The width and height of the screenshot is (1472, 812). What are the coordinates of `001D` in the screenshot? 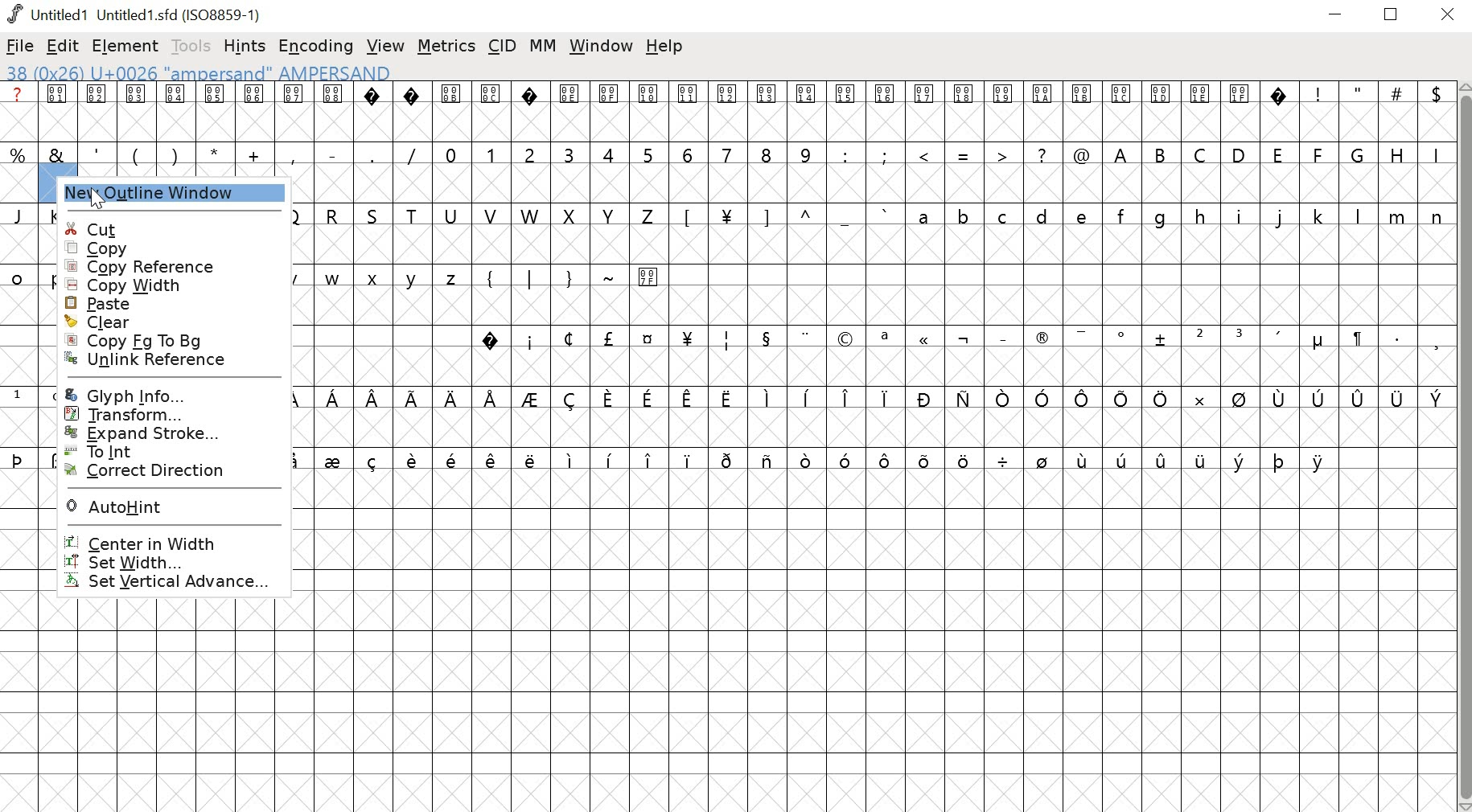 It's located at (1162, 112).